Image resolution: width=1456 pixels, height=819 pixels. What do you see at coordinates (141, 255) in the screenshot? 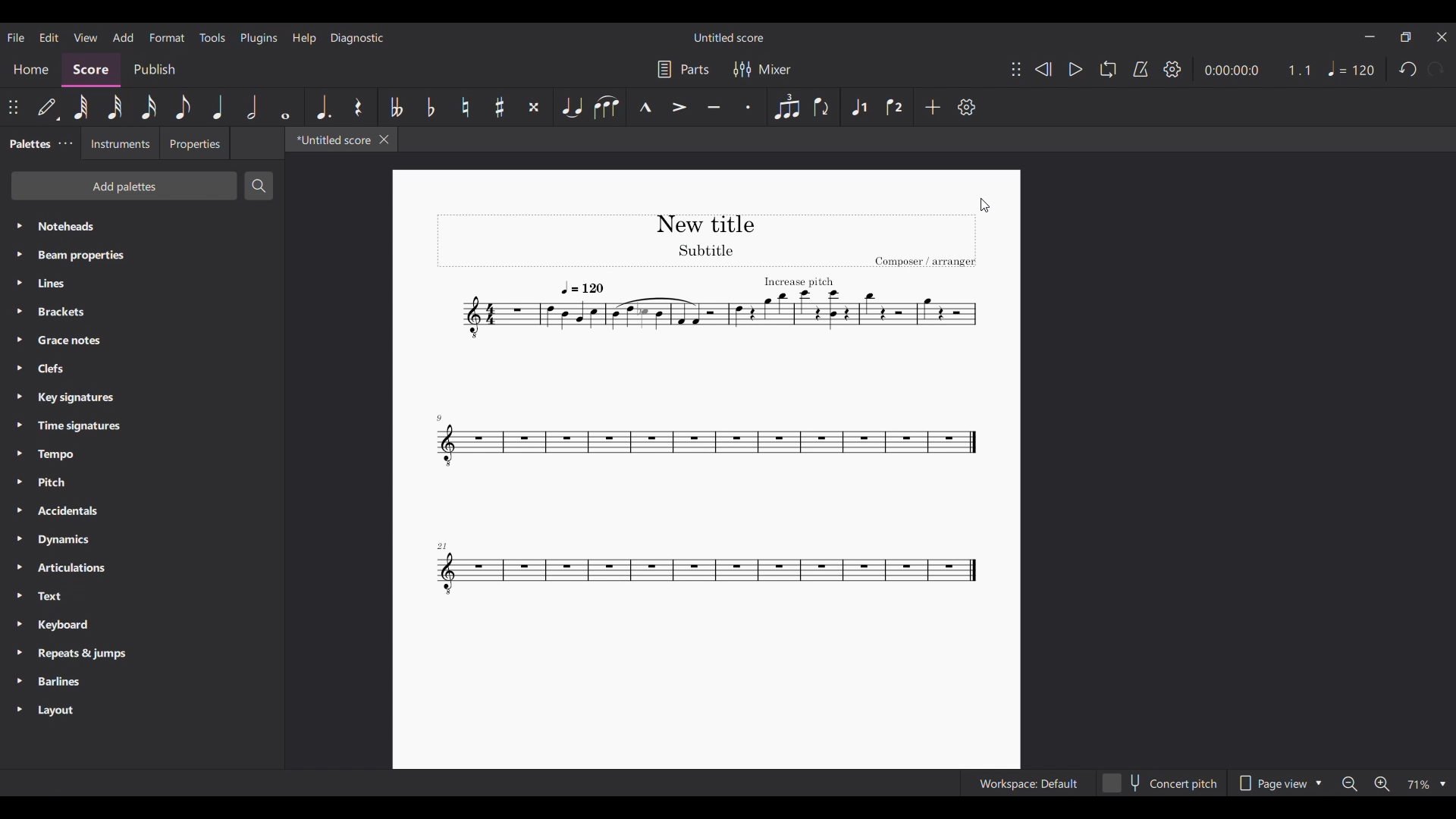
I see `Beam properties` at bounding box center [141, 255].